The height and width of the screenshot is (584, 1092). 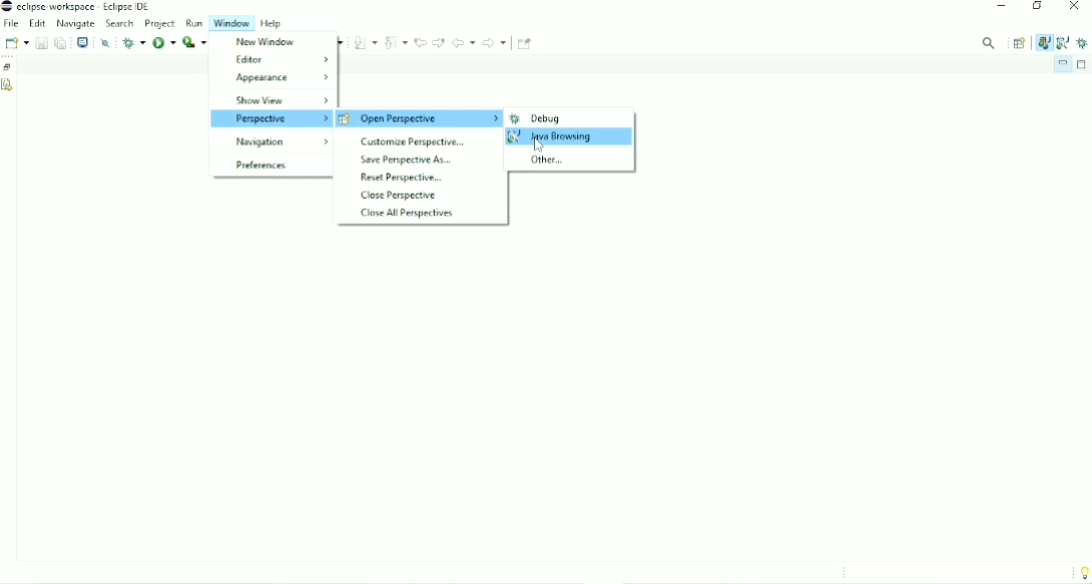 What do you see at coordinates (1083, 65) in the screenshot?
I see `Maximize` at bounding box center [1083, 65].